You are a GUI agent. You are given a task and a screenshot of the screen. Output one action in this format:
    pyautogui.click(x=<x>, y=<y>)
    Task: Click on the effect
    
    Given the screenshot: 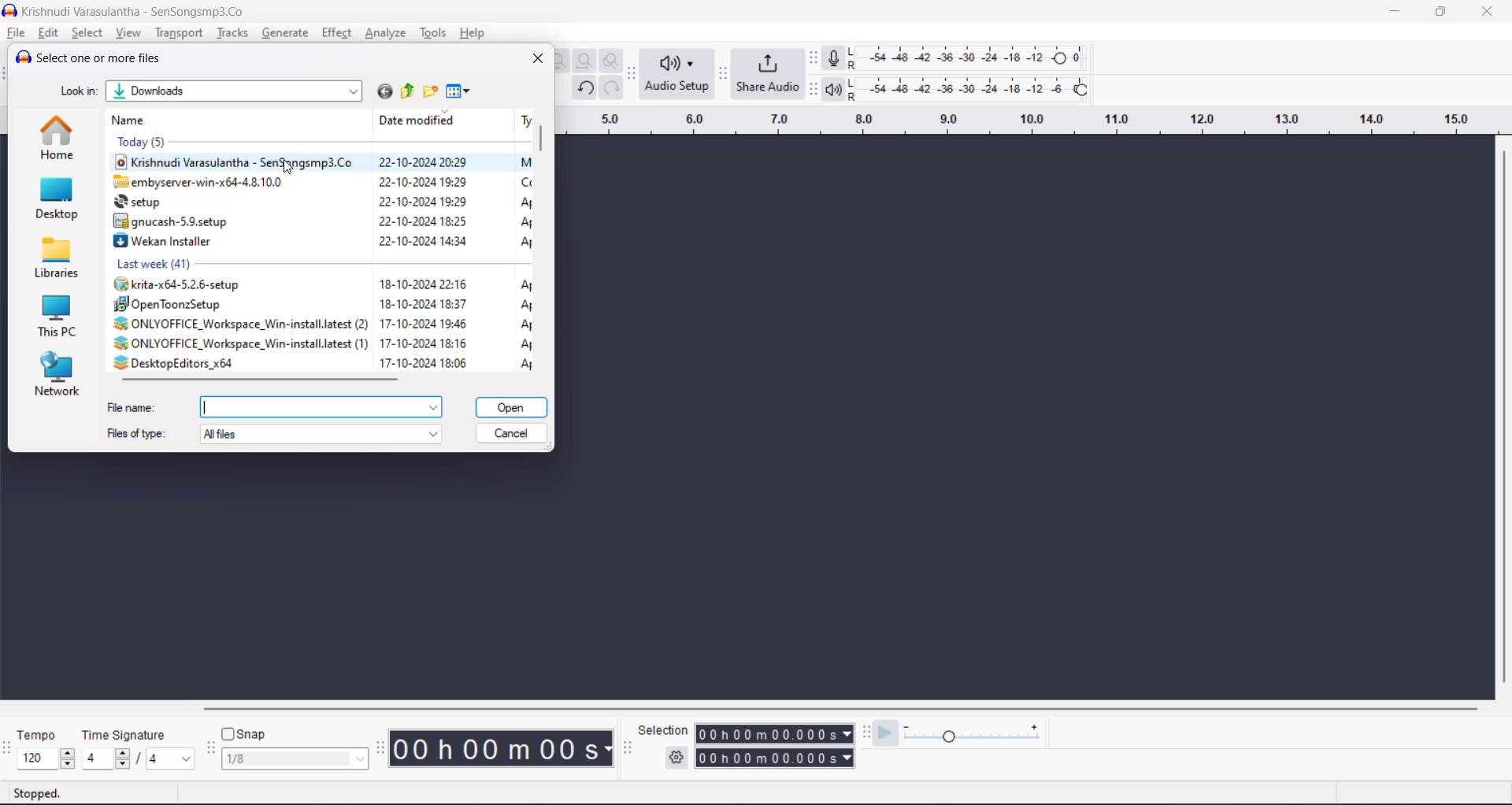 What is the action you would take?
    pyautogui.click(x=336, y=33)
    